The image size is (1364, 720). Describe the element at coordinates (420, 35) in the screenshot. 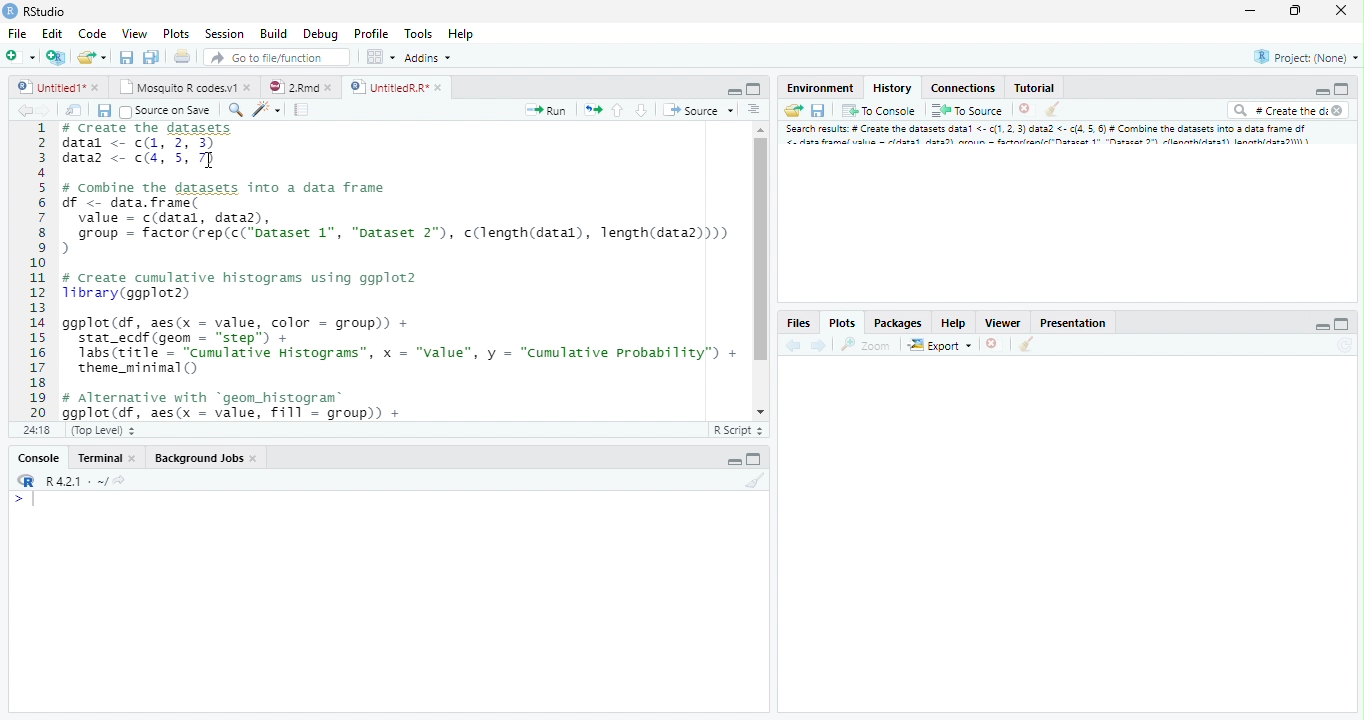

I see `Tools` at that location.